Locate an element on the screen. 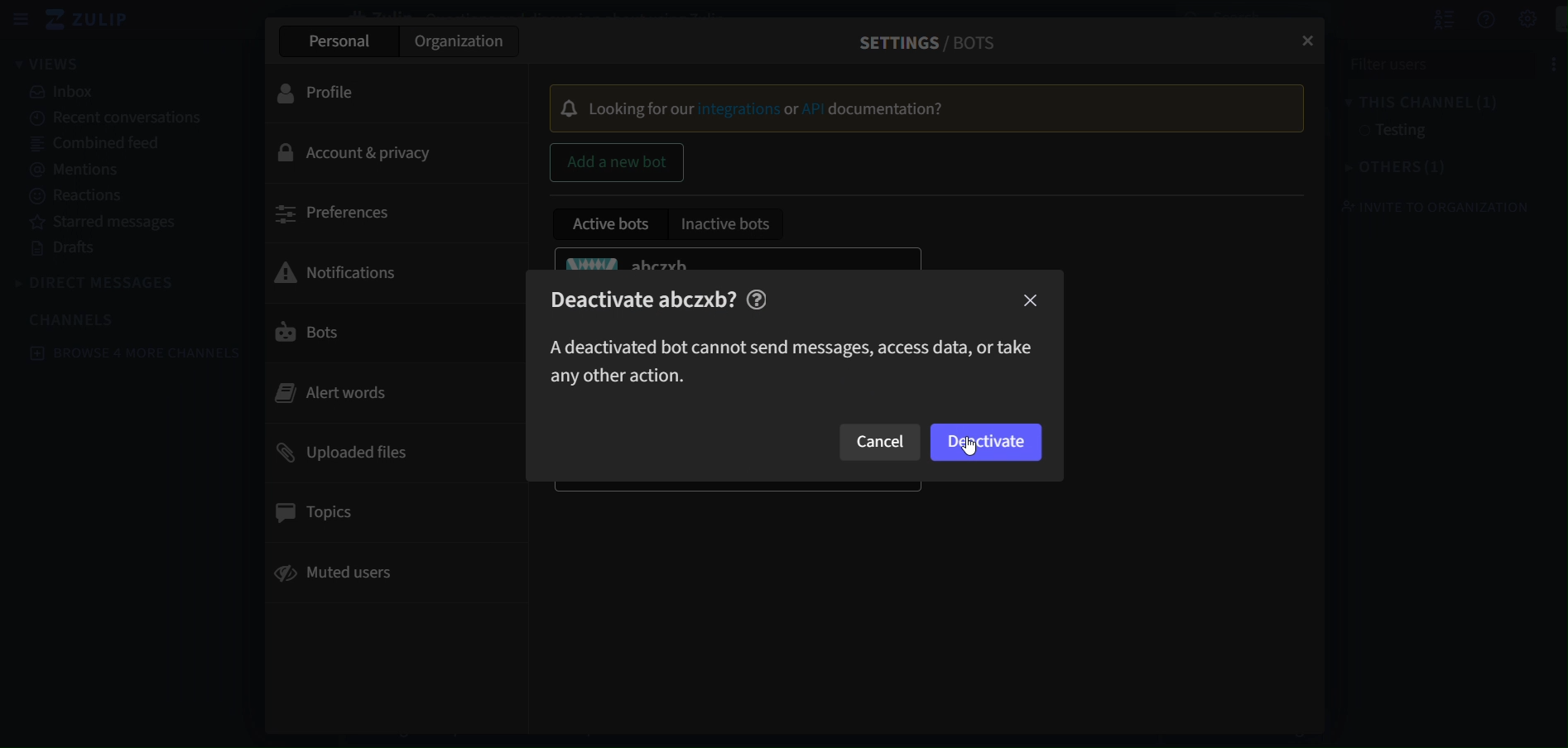  direct messages is located at coordinates (98, 280).